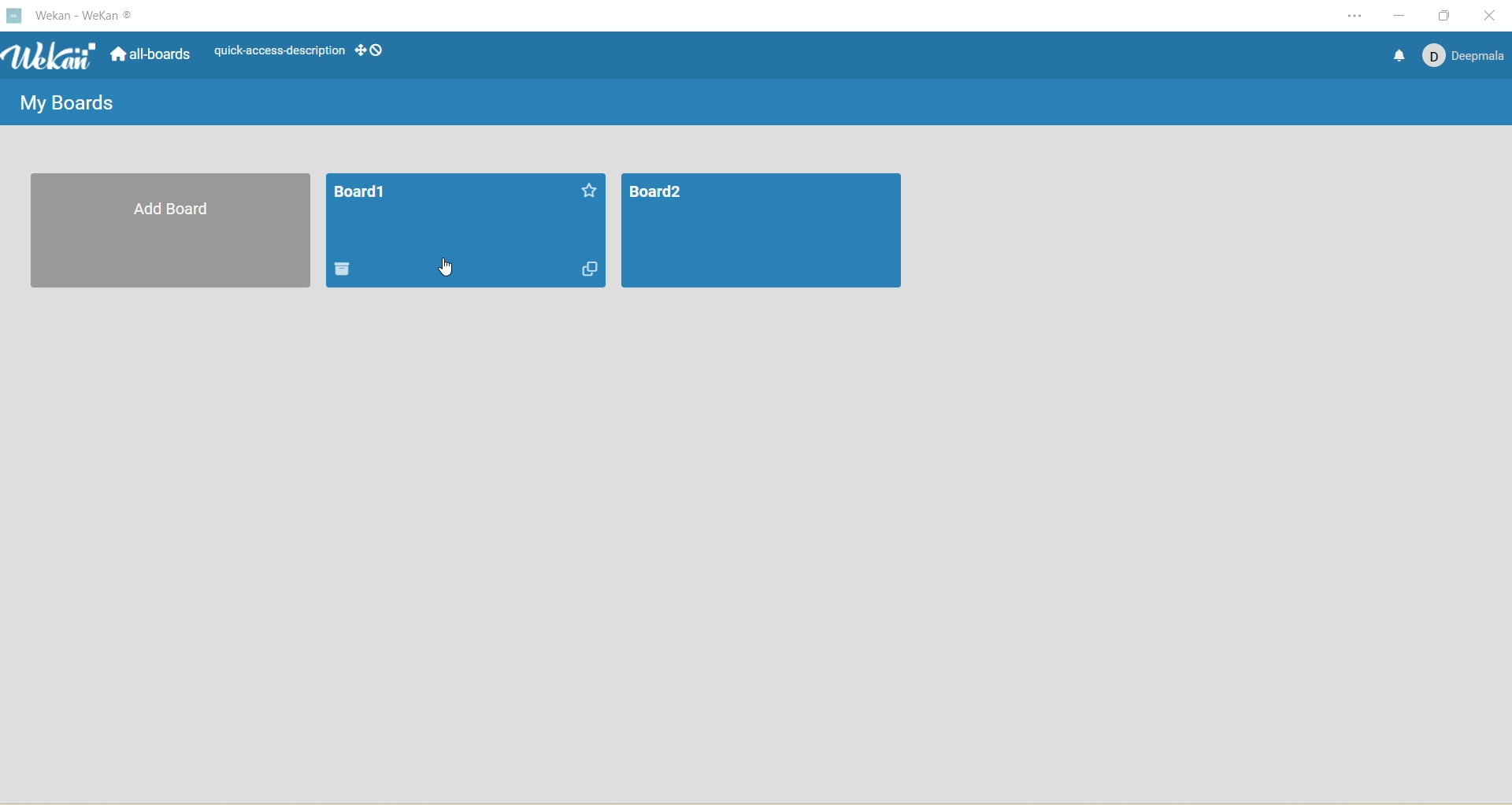 Image resolution: width=1512 pixels, height=805 pixels. What do you see at coordinates (174, 232) in the screenshot?
I see `add board` at bounding box center [174, 232].